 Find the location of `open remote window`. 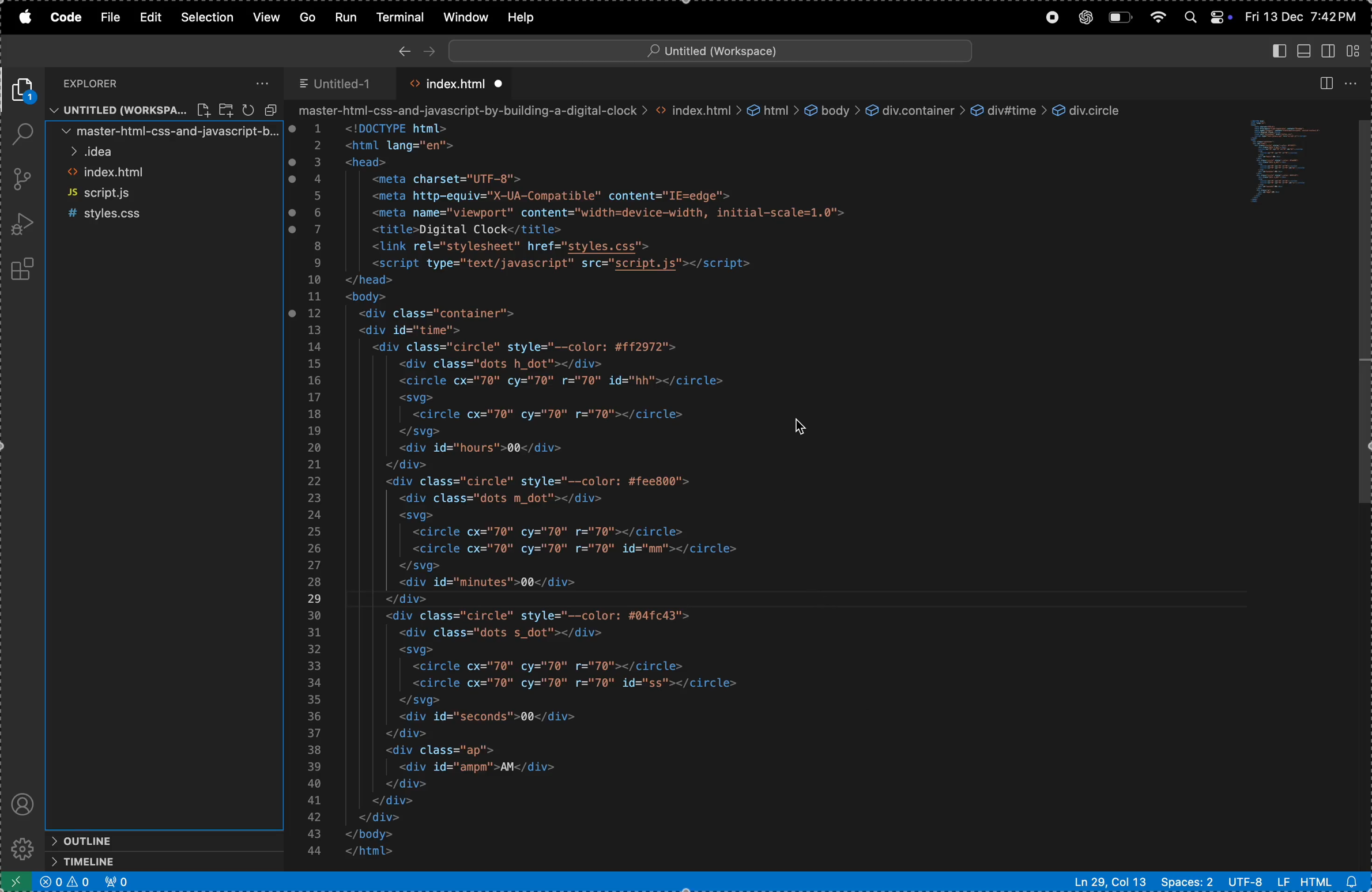

open remote window is located at coordinates (14, 881).